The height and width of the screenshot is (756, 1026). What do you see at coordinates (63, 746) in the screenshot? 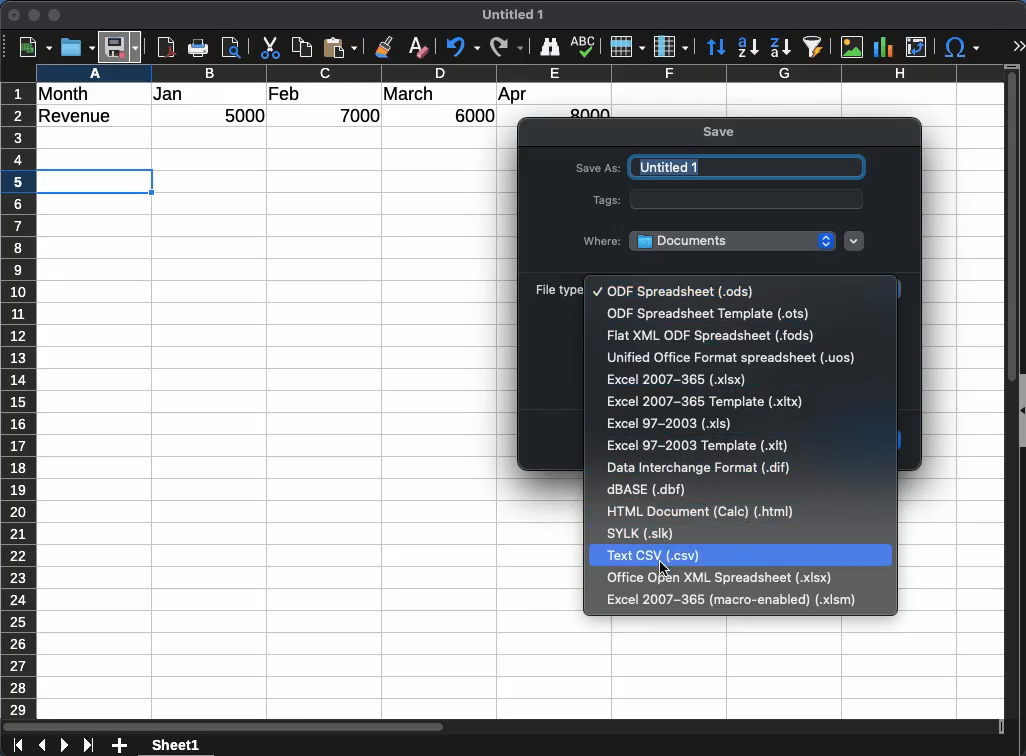
I see `next sheet` at bounding box center [63, 746].